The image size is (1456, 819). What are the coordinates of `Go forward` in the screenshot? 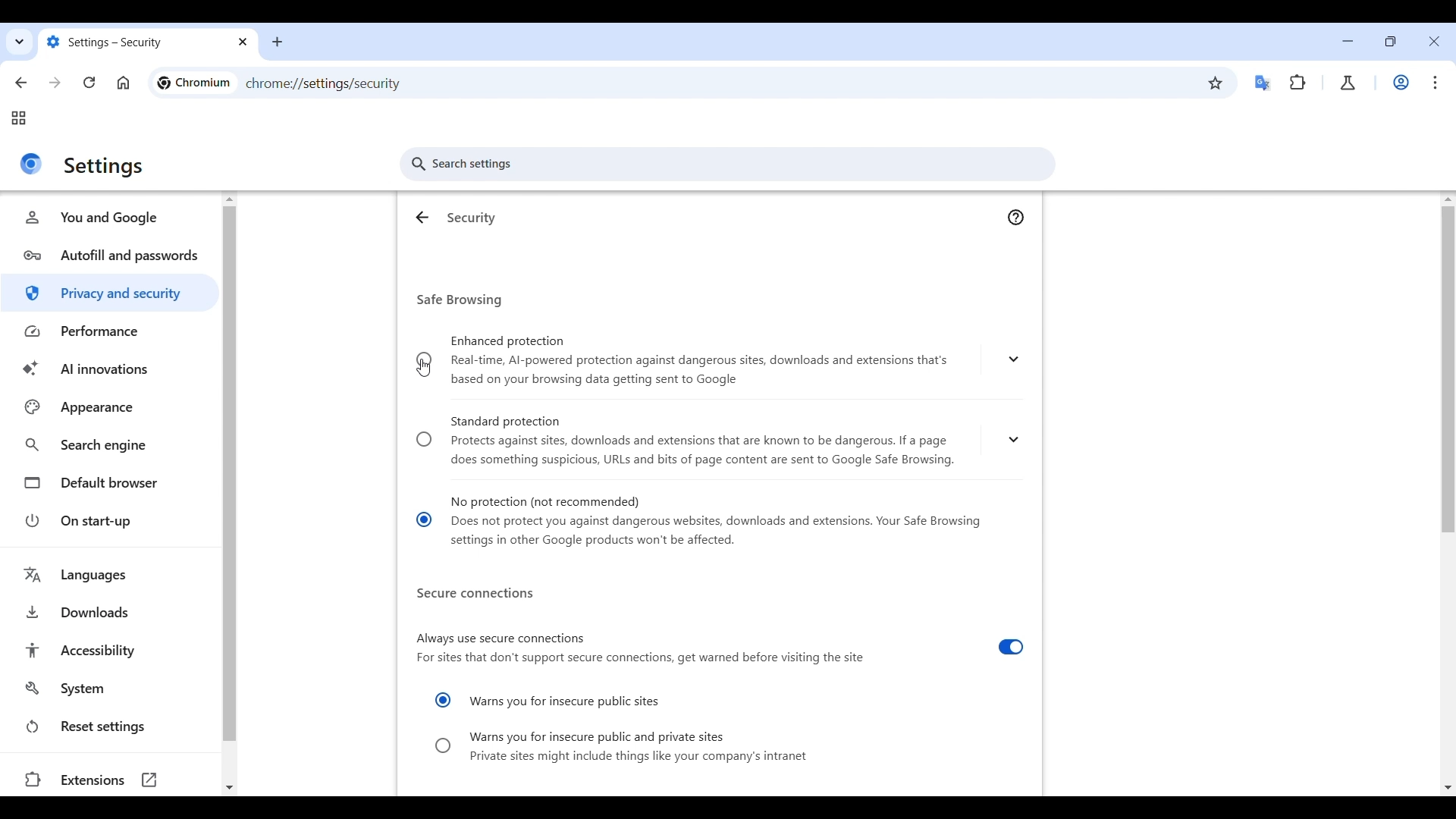 It's located at (55, 83).